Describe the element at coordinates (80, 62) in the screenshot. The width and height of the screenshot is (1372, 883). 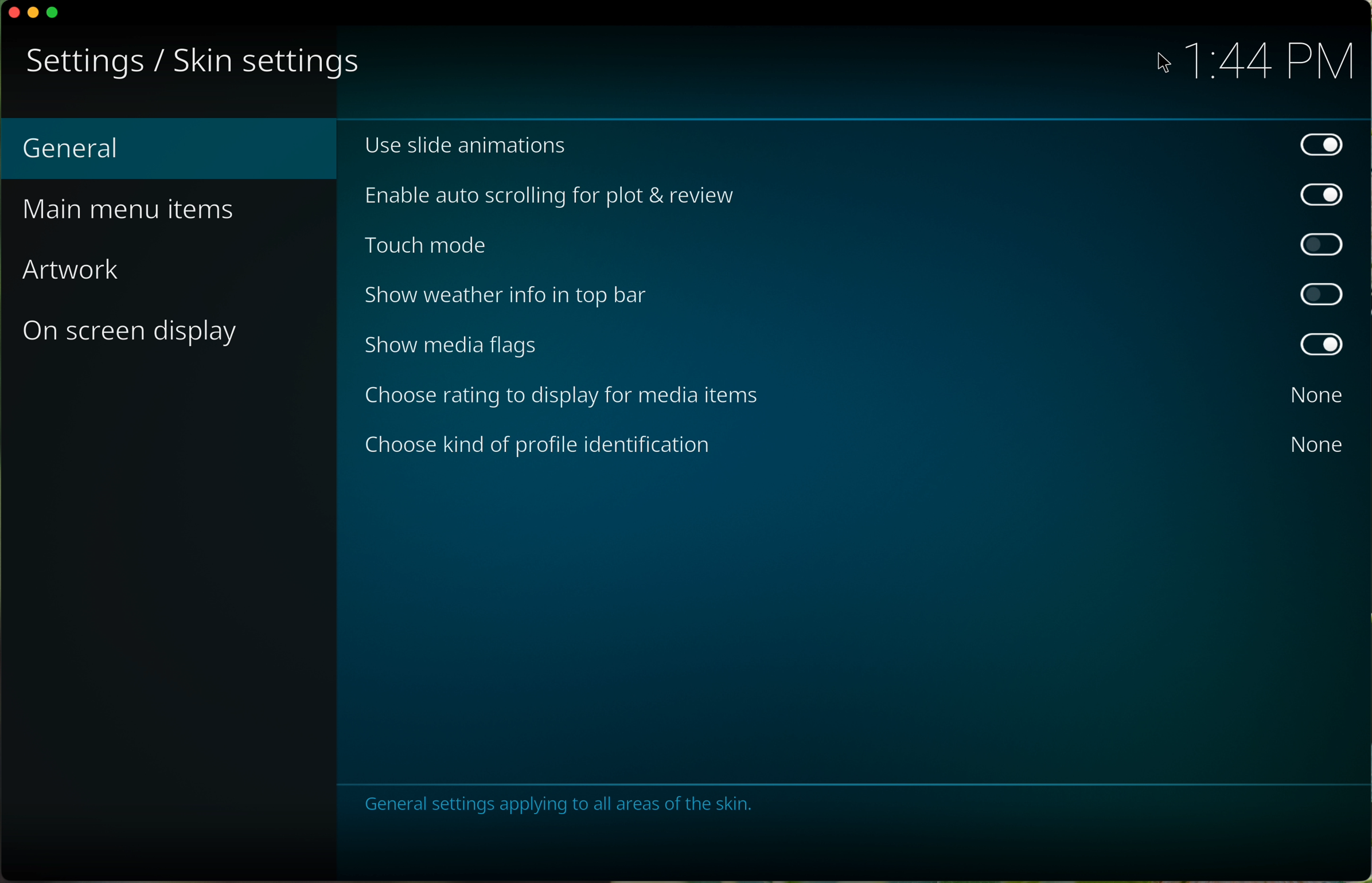
I see `settings` at that location.